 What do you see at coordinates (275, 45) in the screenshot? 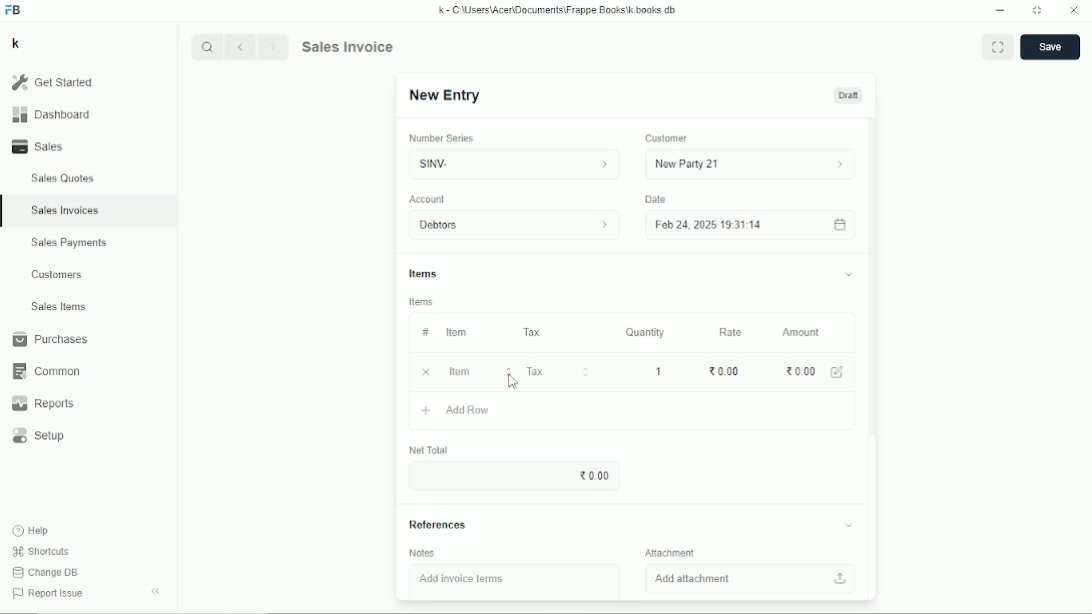
I see `Forward` at bounding box center [275, 45].